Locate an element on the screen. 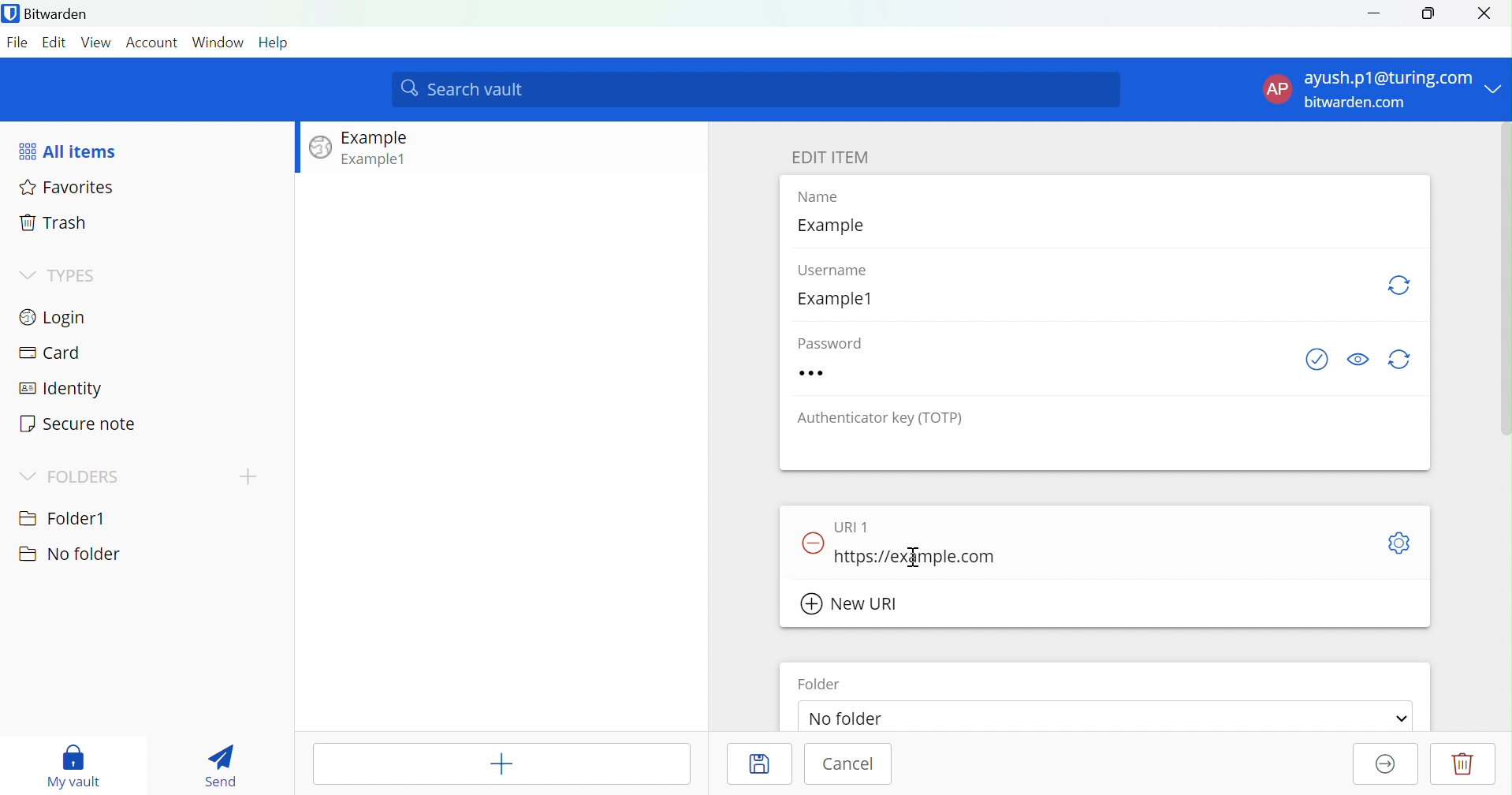 The width and height of the screenshot is (1512, 795). Drop Down is located at coordinates (27, 476).